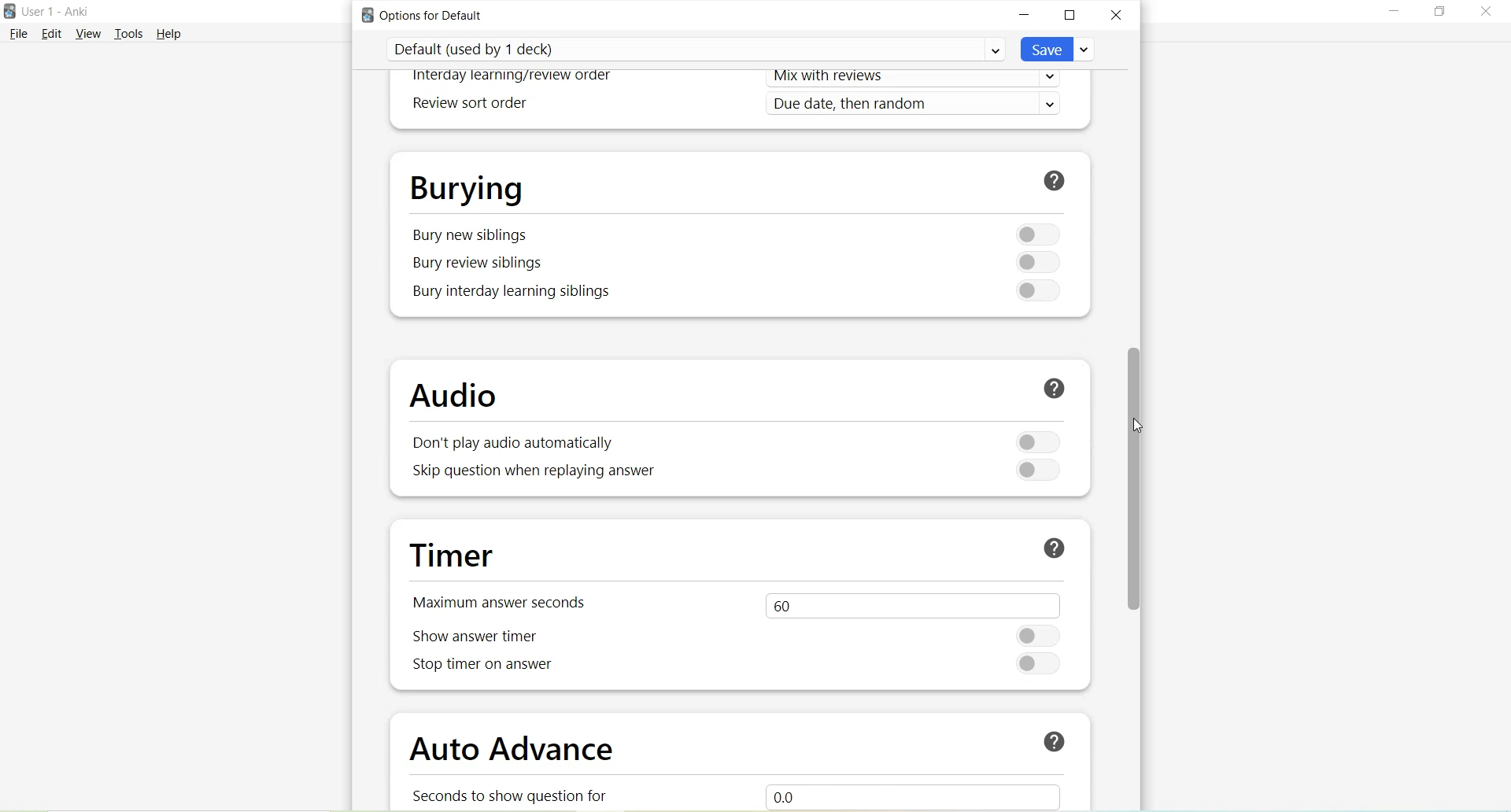 The height and width of the screenshot is (812, 1511). What do you see at coordinates (1070, 17) in the screenshot?
I see `Maximize` at bounding box center [1070, 17].